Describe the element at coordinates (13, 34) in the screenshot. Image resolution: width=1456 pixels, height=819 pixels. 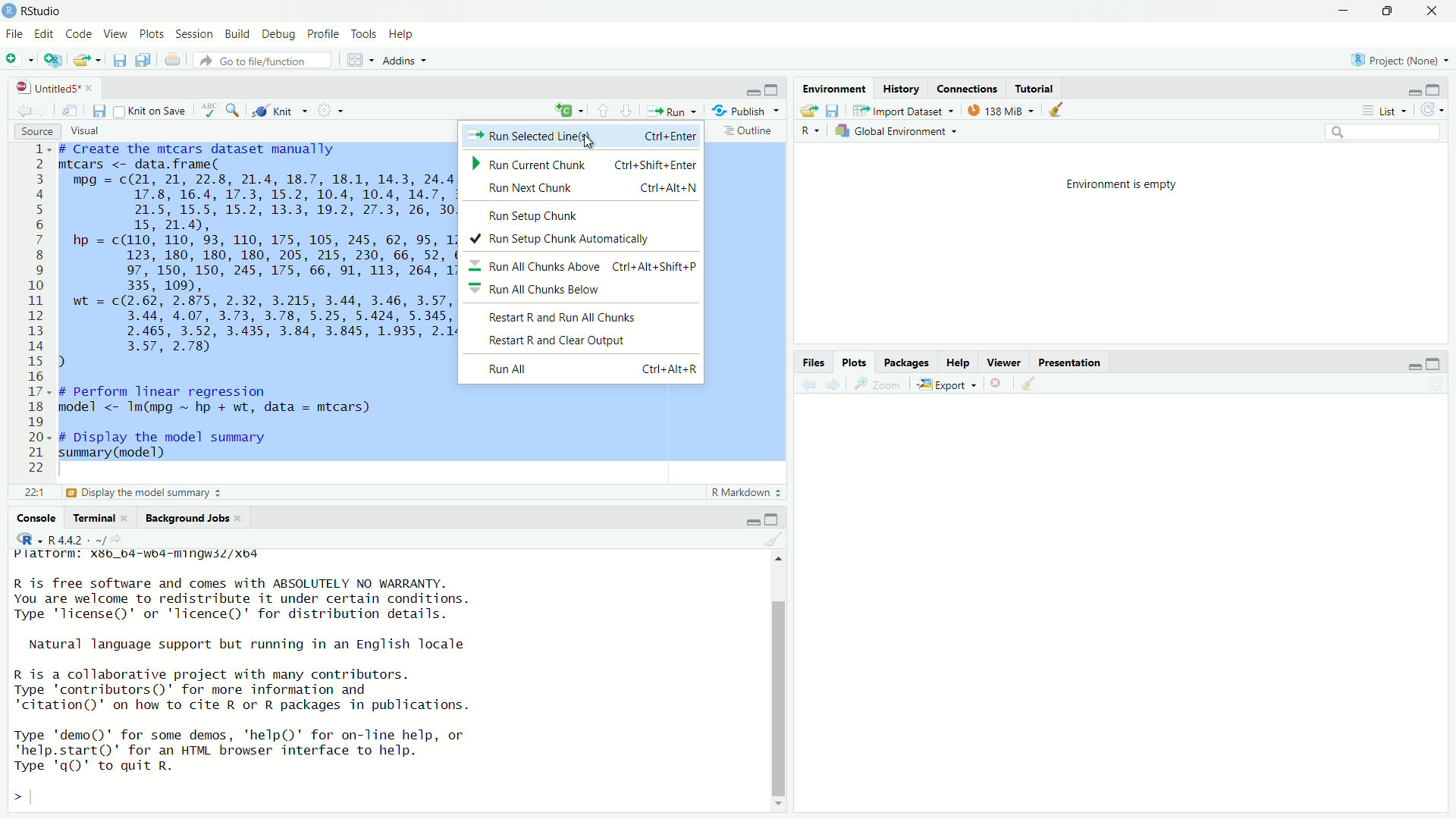
I see `file` at that location.